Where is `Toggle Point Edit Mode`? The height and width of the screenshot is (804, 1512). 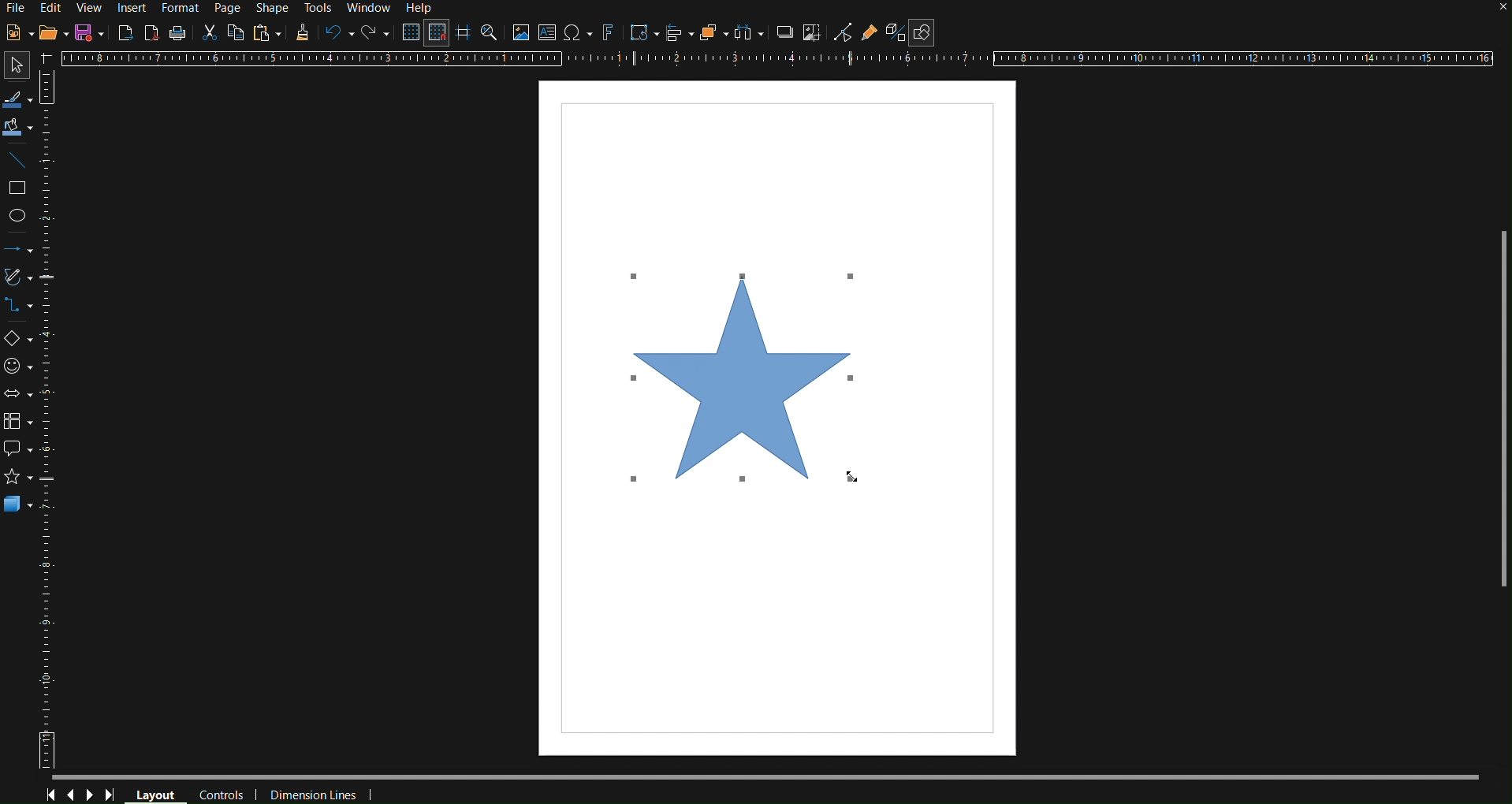 Toggle Point Edit Mode is located at coordinates (844, 33).